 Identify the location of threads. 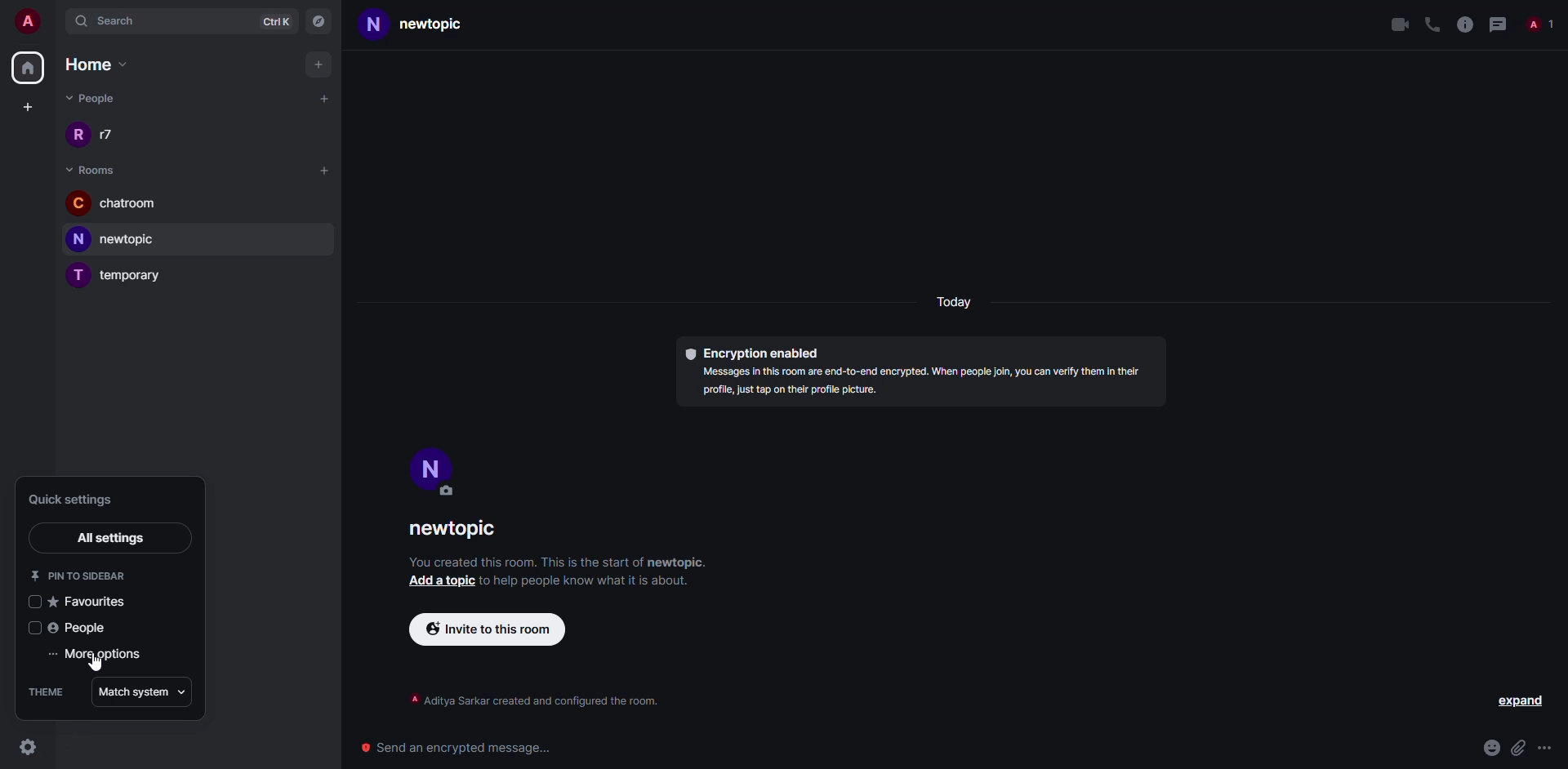
(1498, 24).